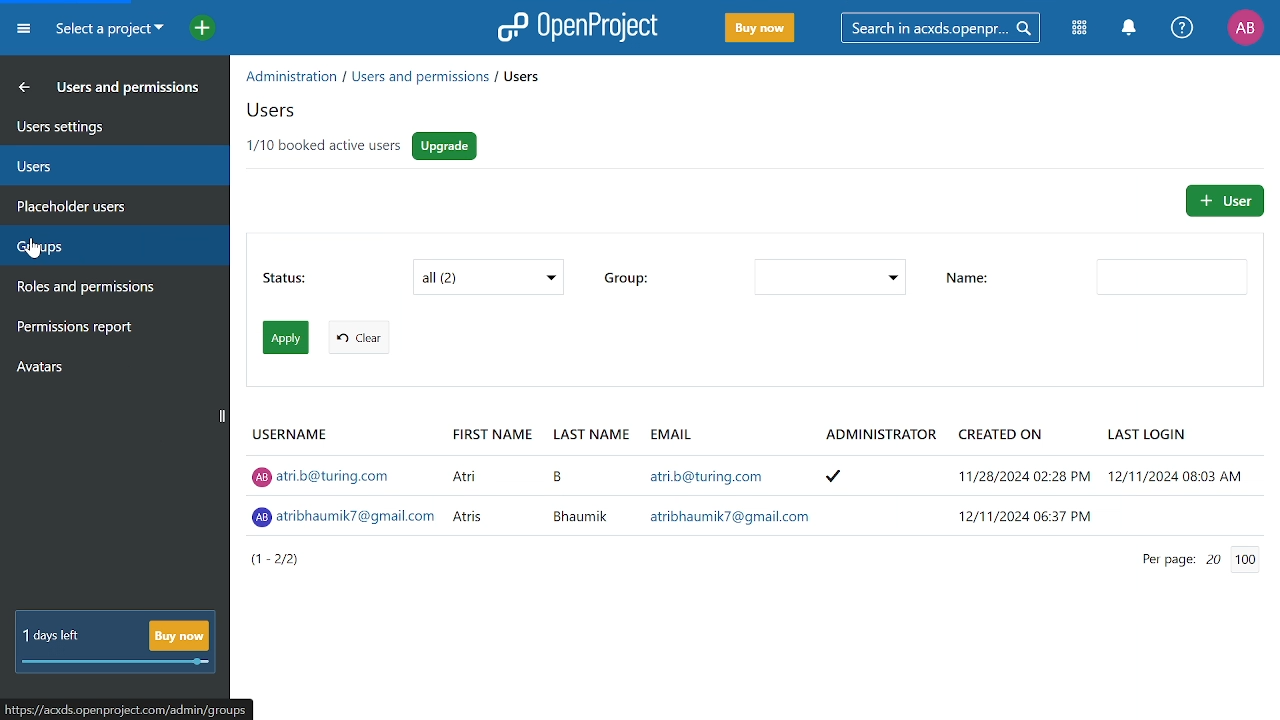 This screenshot has width=1280, height=720. I want to click on Users, so click(266, 113).